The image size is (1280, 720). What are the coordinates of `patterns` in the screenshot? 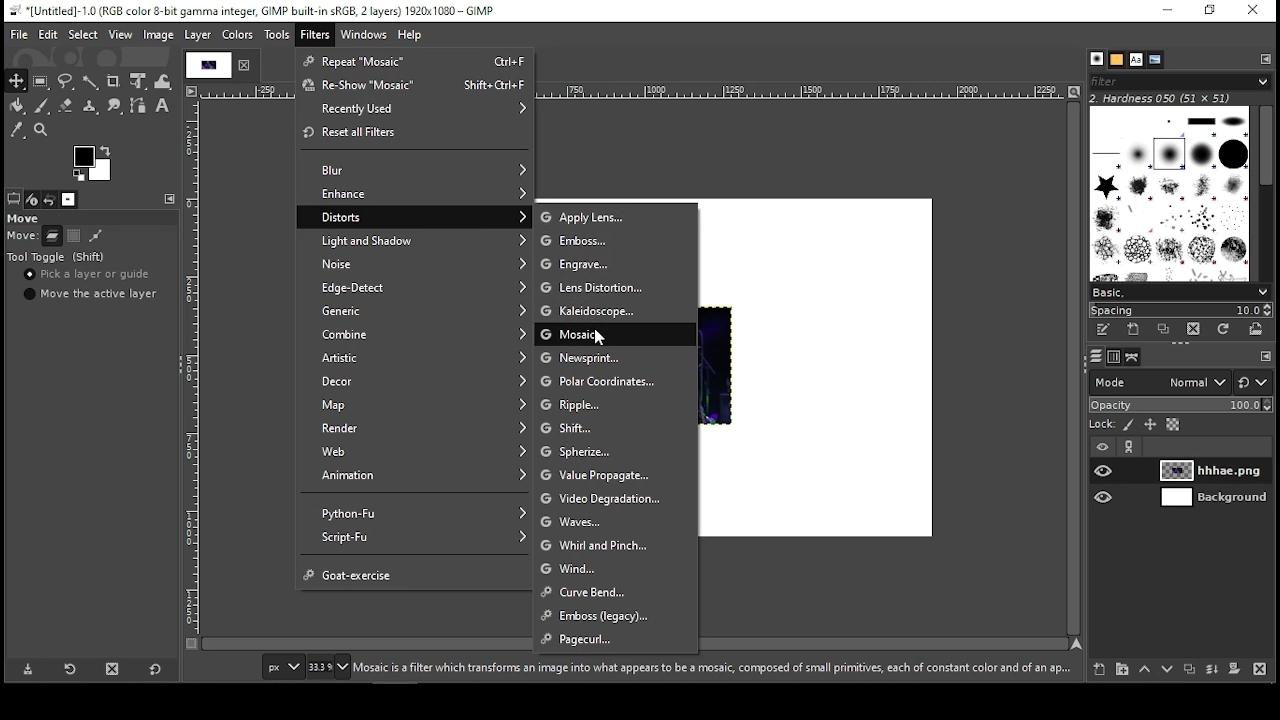 It's located at (1117, 60).